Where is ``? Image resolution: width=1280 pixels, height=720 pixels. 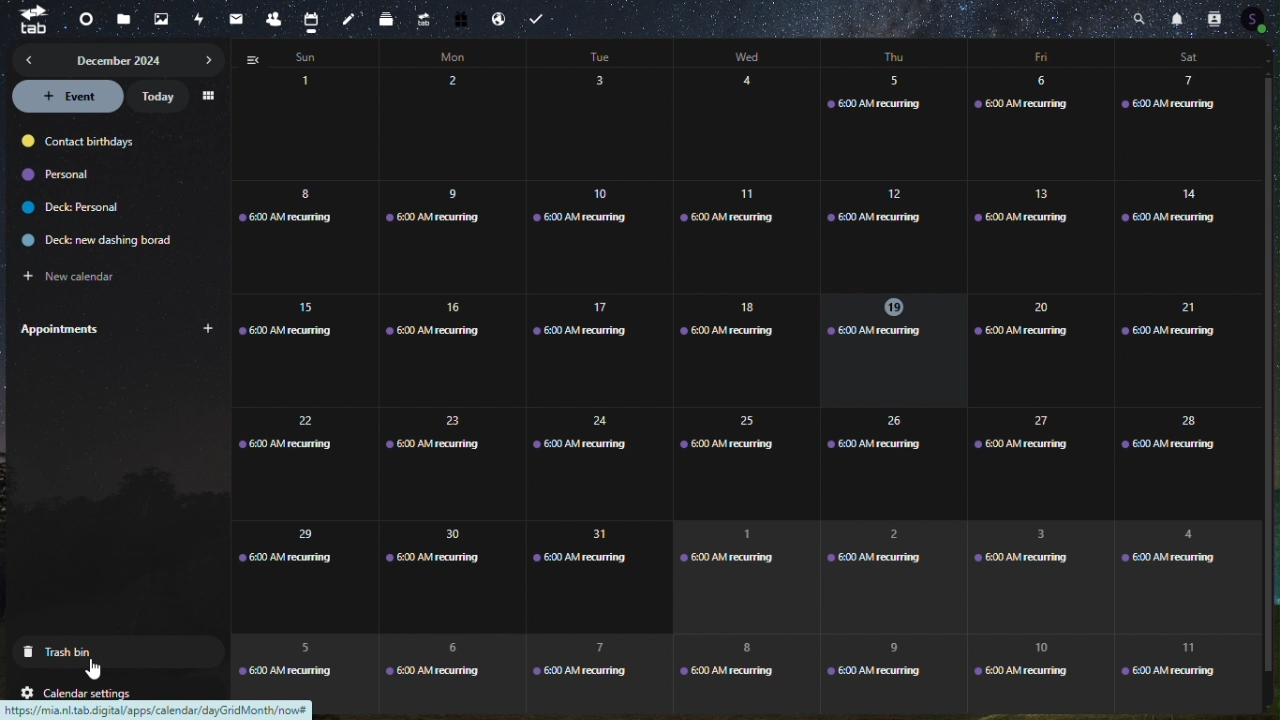  is located at coordinates (732, 459).